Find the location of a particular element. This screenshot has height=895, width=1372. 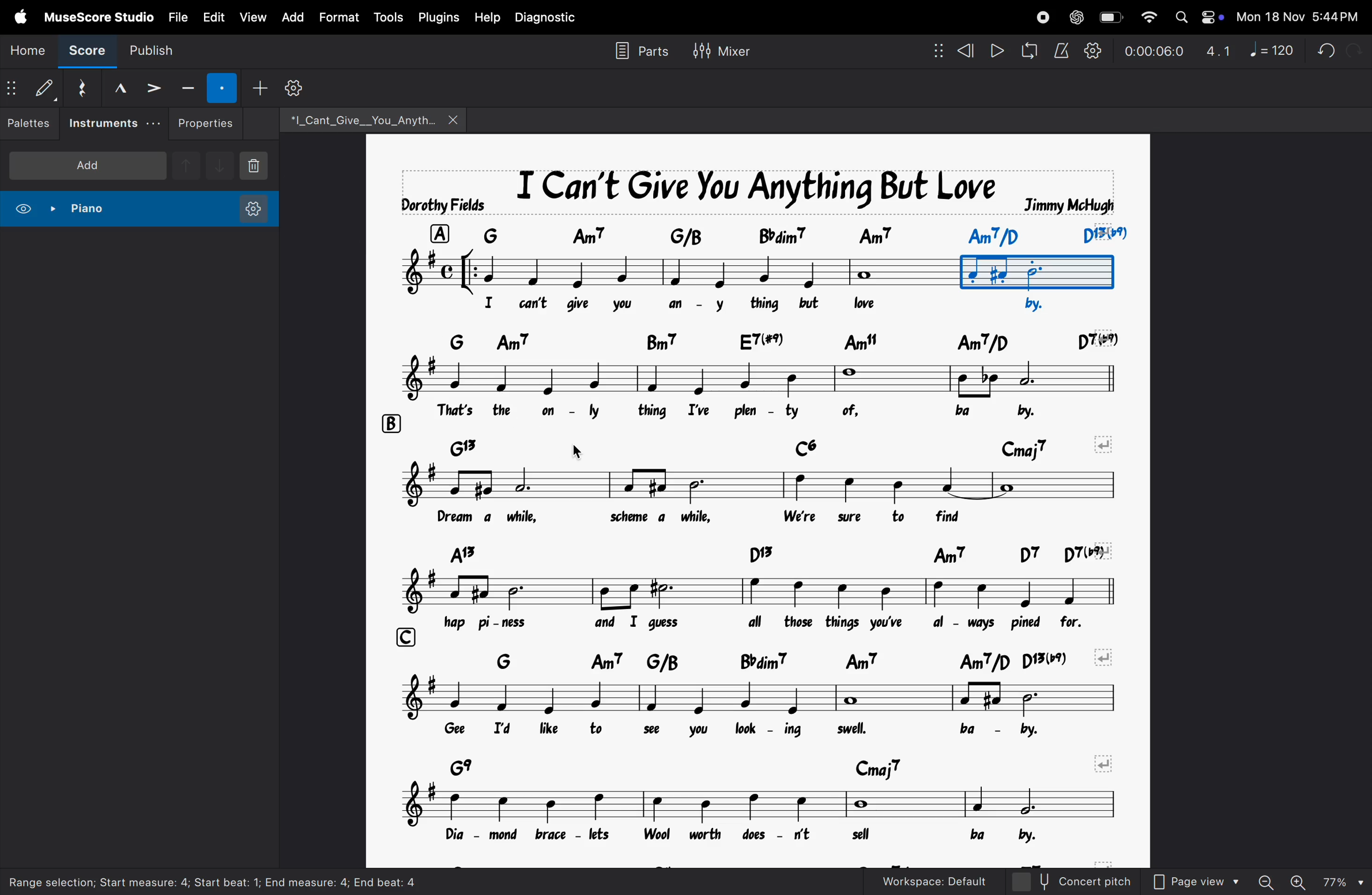

mixer is located at coordinates (724, 52).